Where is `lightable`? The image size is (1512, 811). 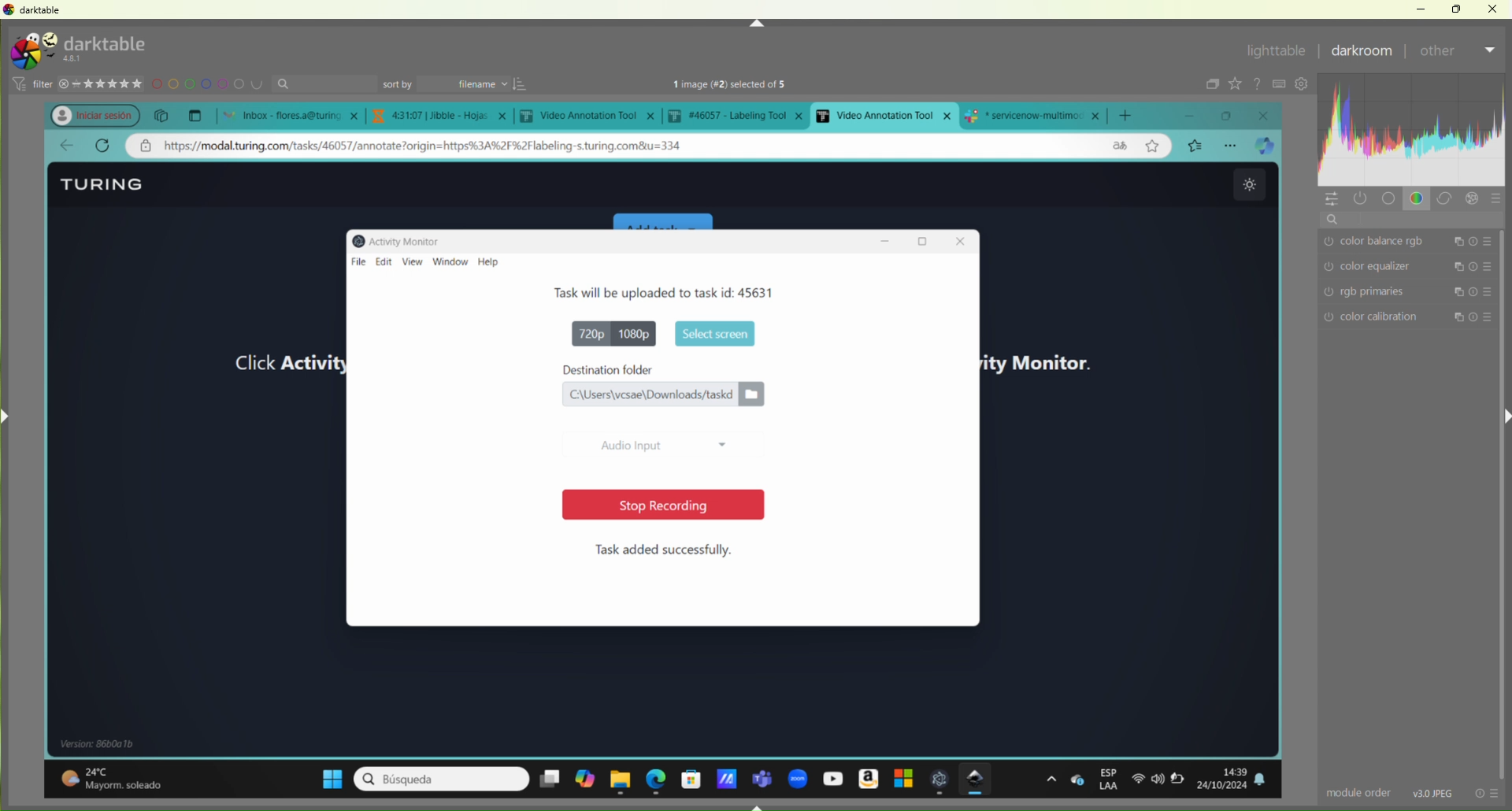 lightable is located at coordinates (1277, 51).